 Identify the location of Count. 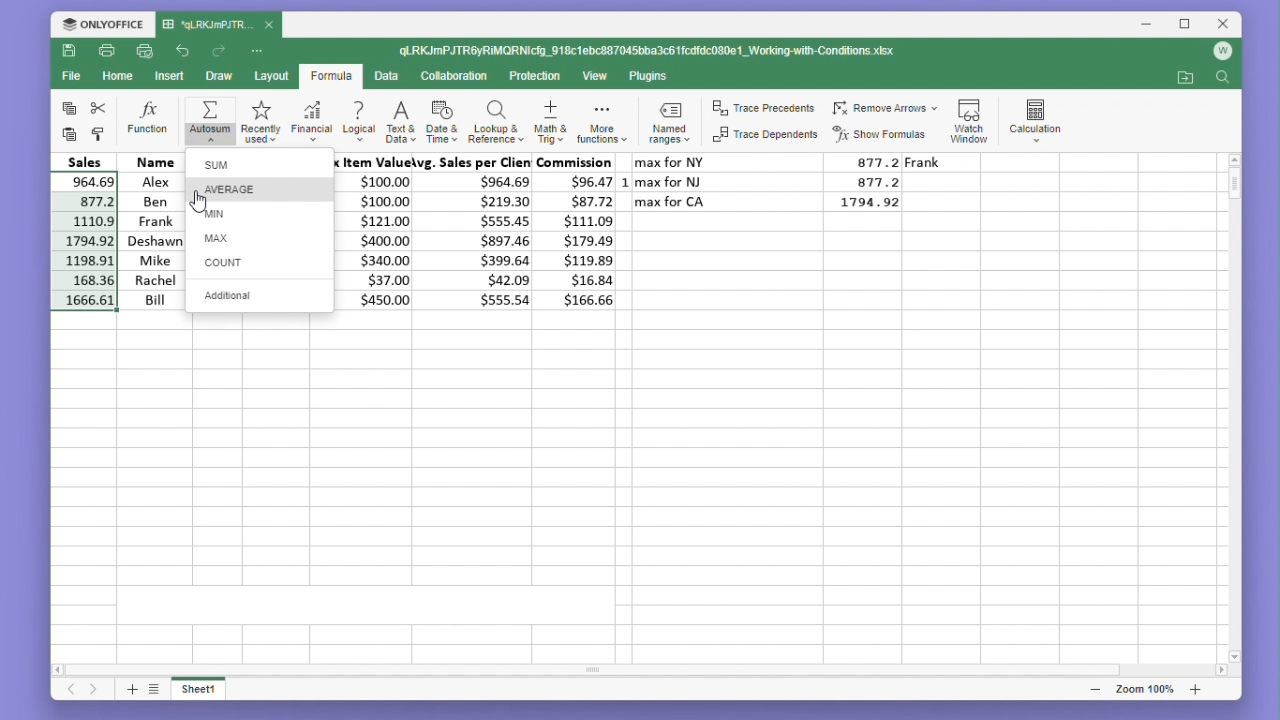
(260, 261).